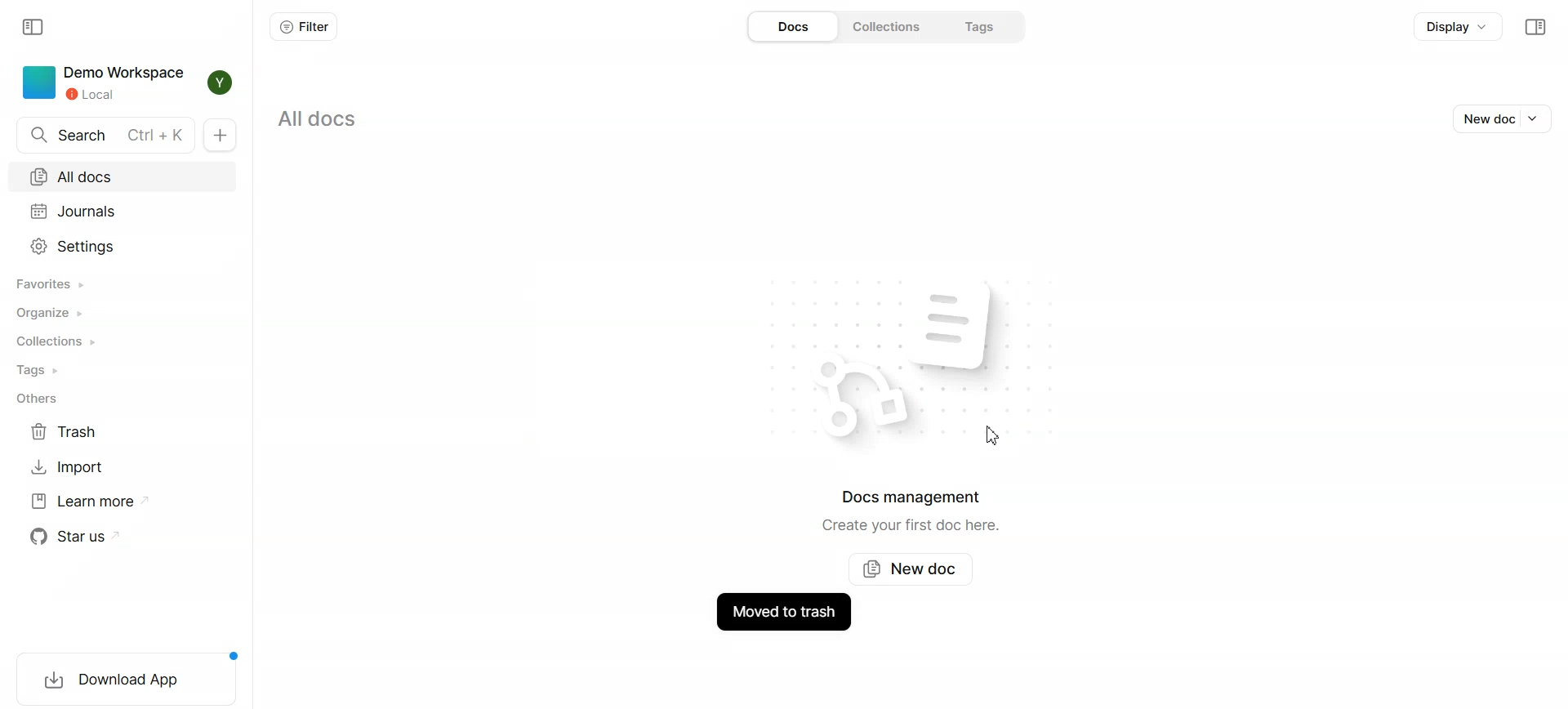  Describe the element at coordinates (109, 537) in the screenshot. I see `Star us` at that location.